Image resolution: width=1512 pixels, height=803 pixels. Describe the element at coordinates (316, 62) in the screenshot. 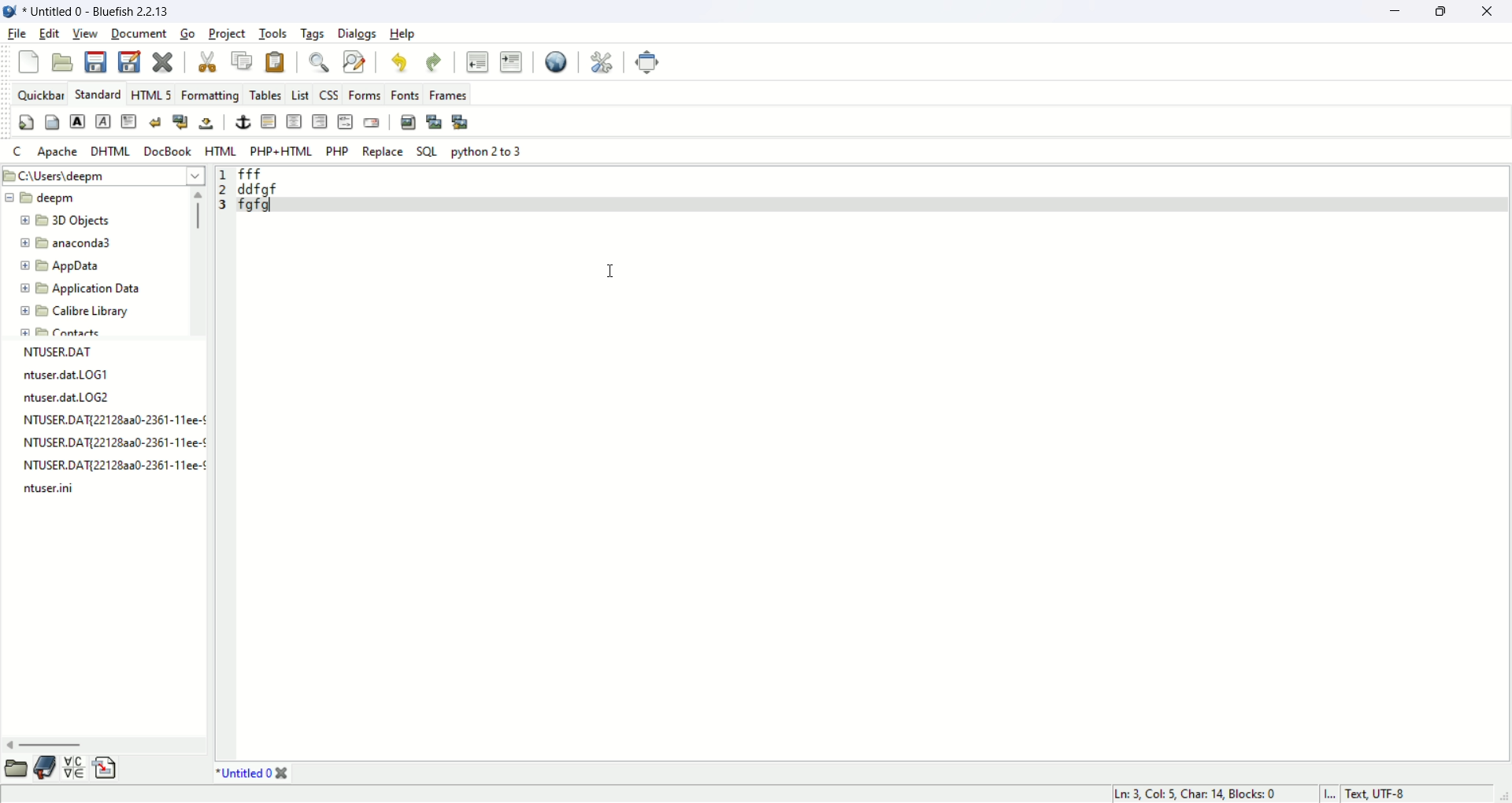

I see `show find bar` at that location.